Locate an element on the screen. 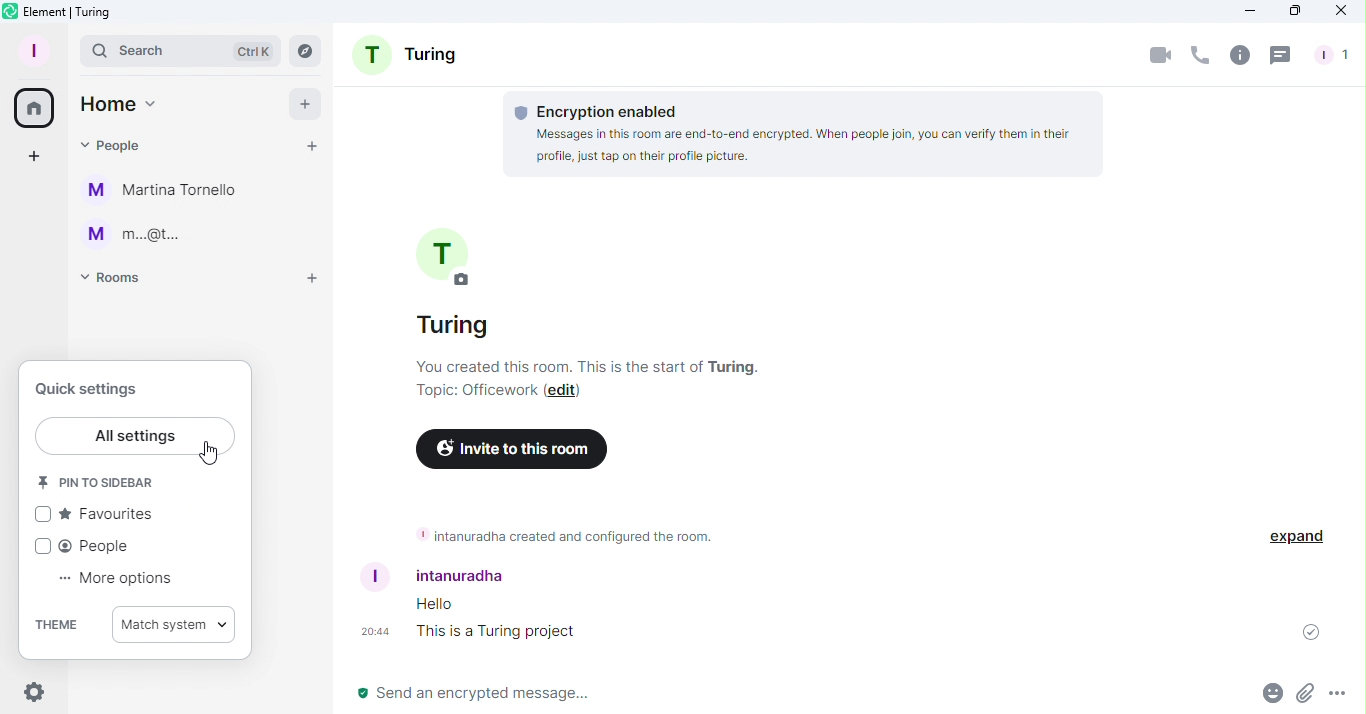 The height and width of the screenshot is (714, 1366). Messages is located at coordinates (498, 621).